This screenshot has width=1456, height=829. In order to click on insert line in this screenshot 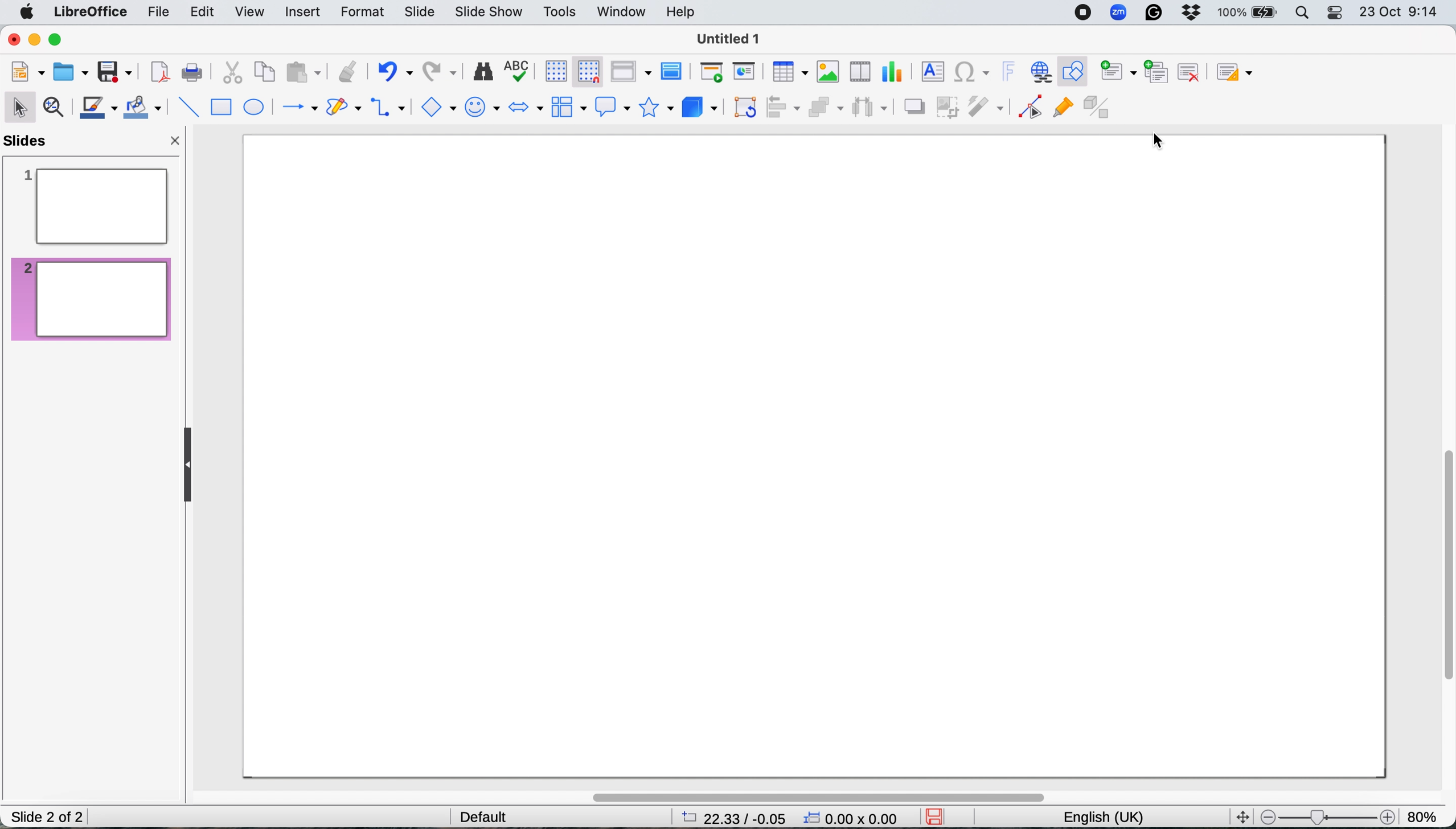, I will do `click(186, 106)`.